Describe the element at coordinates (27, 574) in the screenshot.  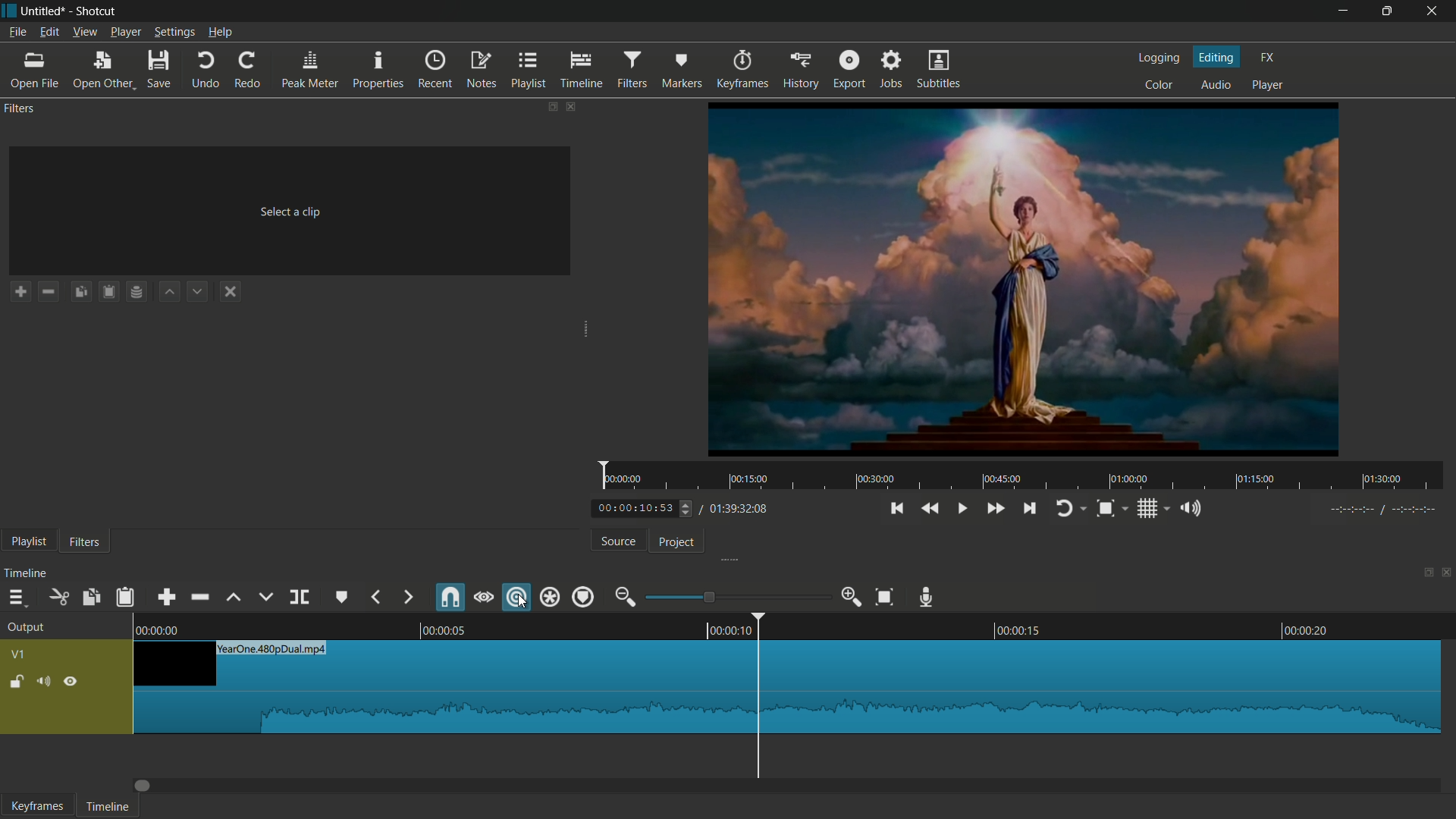
I see `timeline` at that location.